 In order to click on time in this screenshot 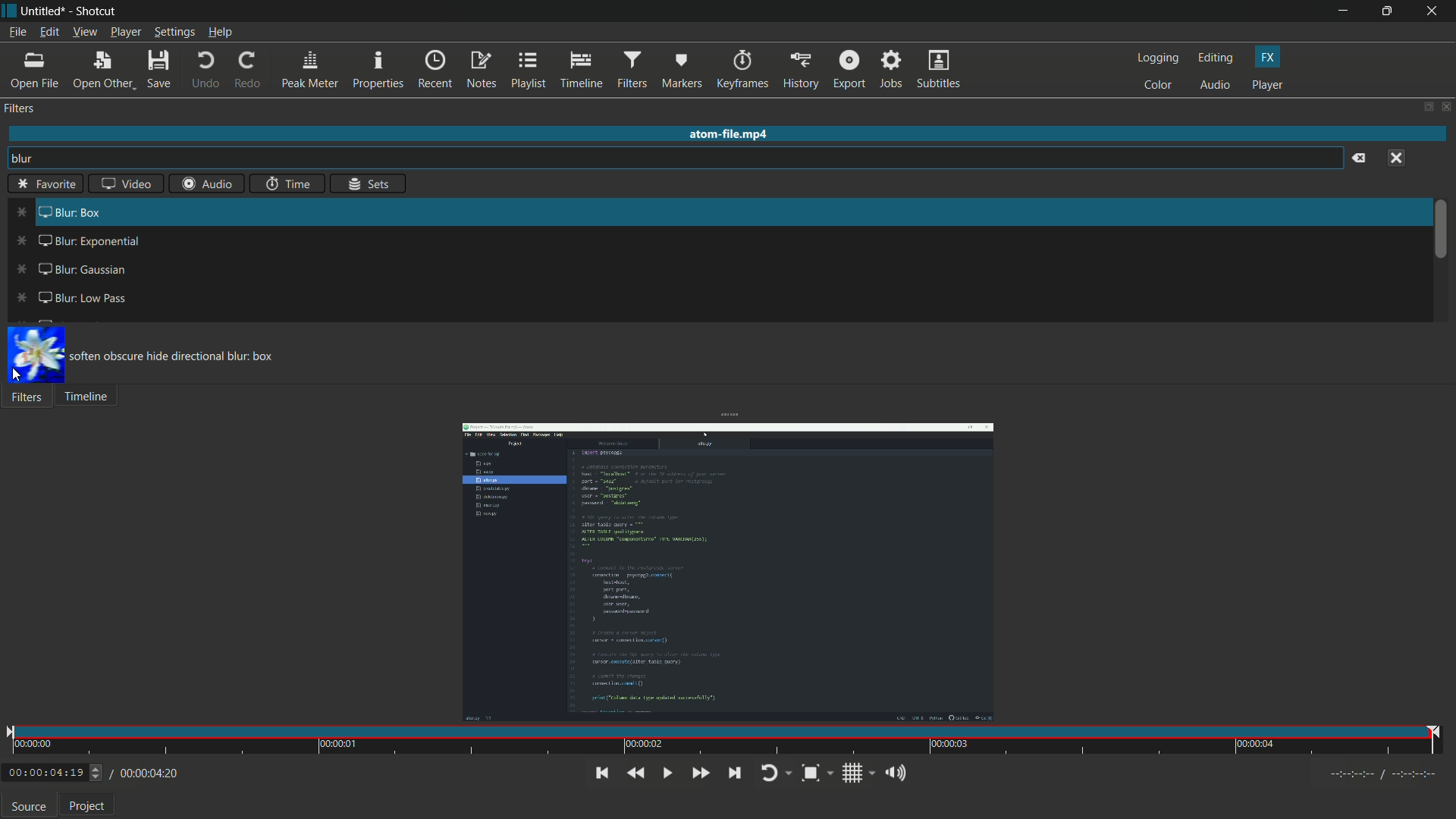, I will do `click(289, 184)`.